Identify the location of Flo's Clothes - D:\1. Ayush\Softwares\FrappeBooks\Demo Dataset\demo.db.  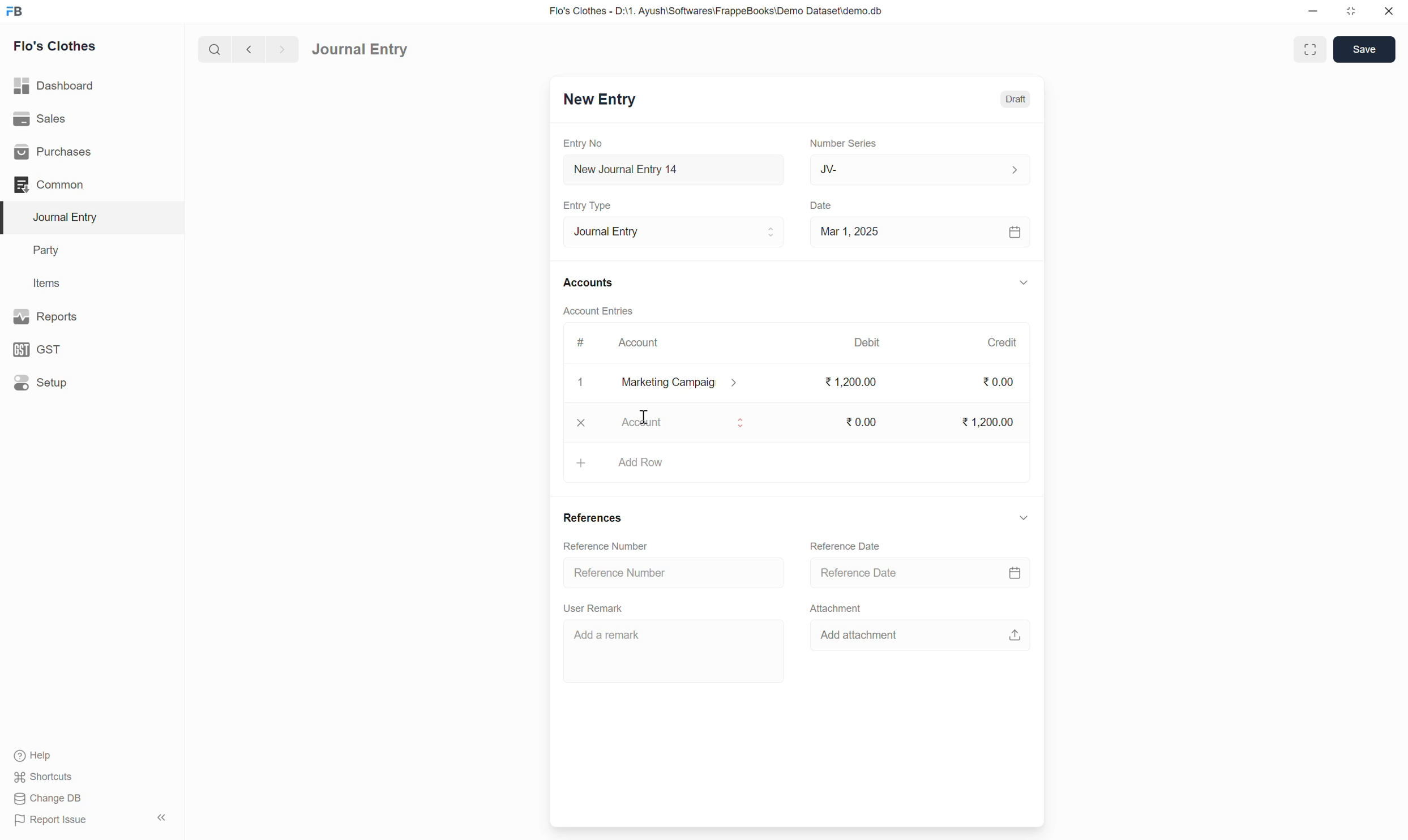
(719, 10).